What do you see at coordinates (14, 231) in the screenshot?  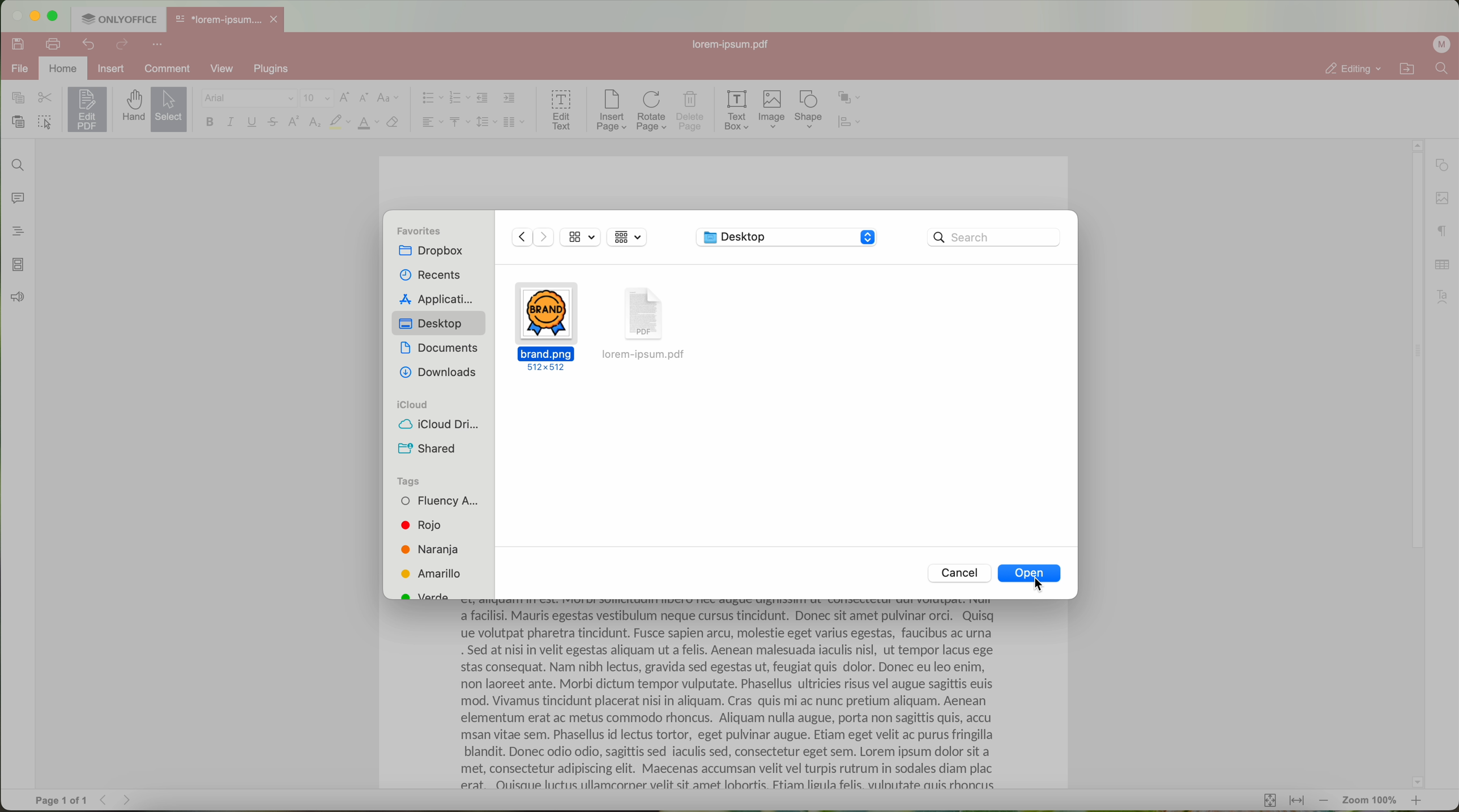 I see `headings` at bounding box center [14, 231].